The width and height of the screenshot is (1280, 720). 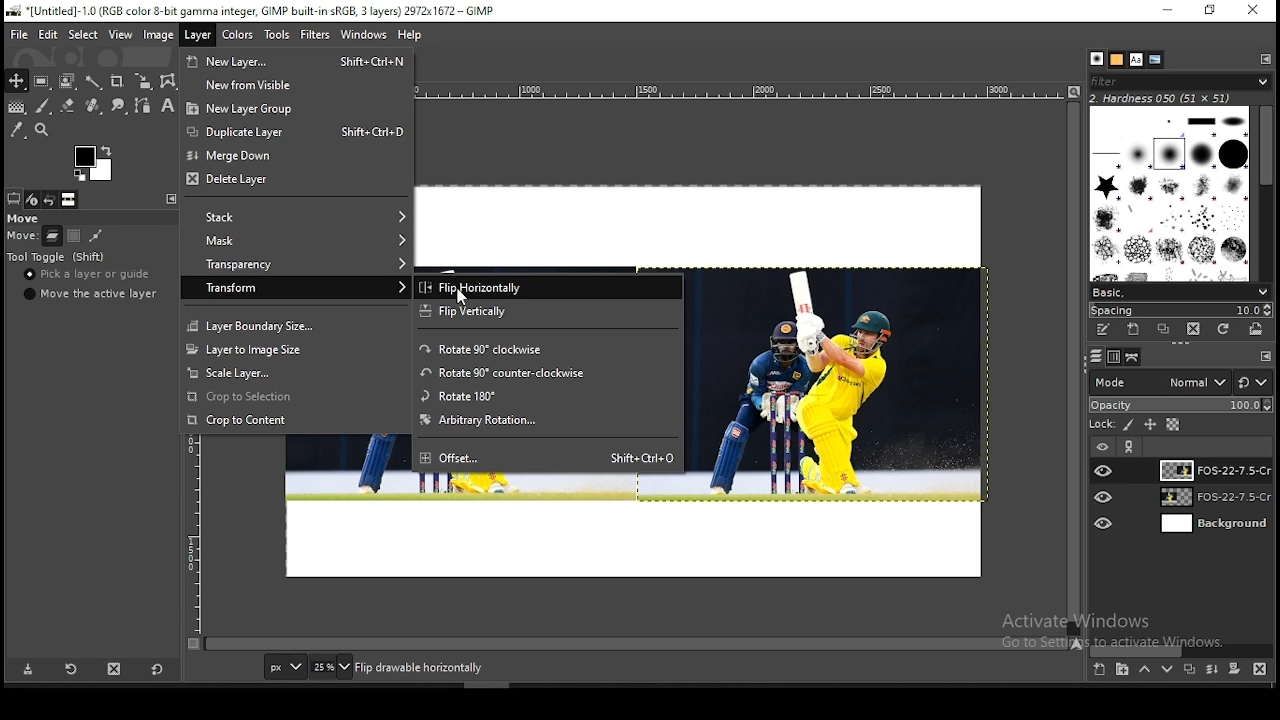 I want to click on icon and file name, so click(x=248, y=12).